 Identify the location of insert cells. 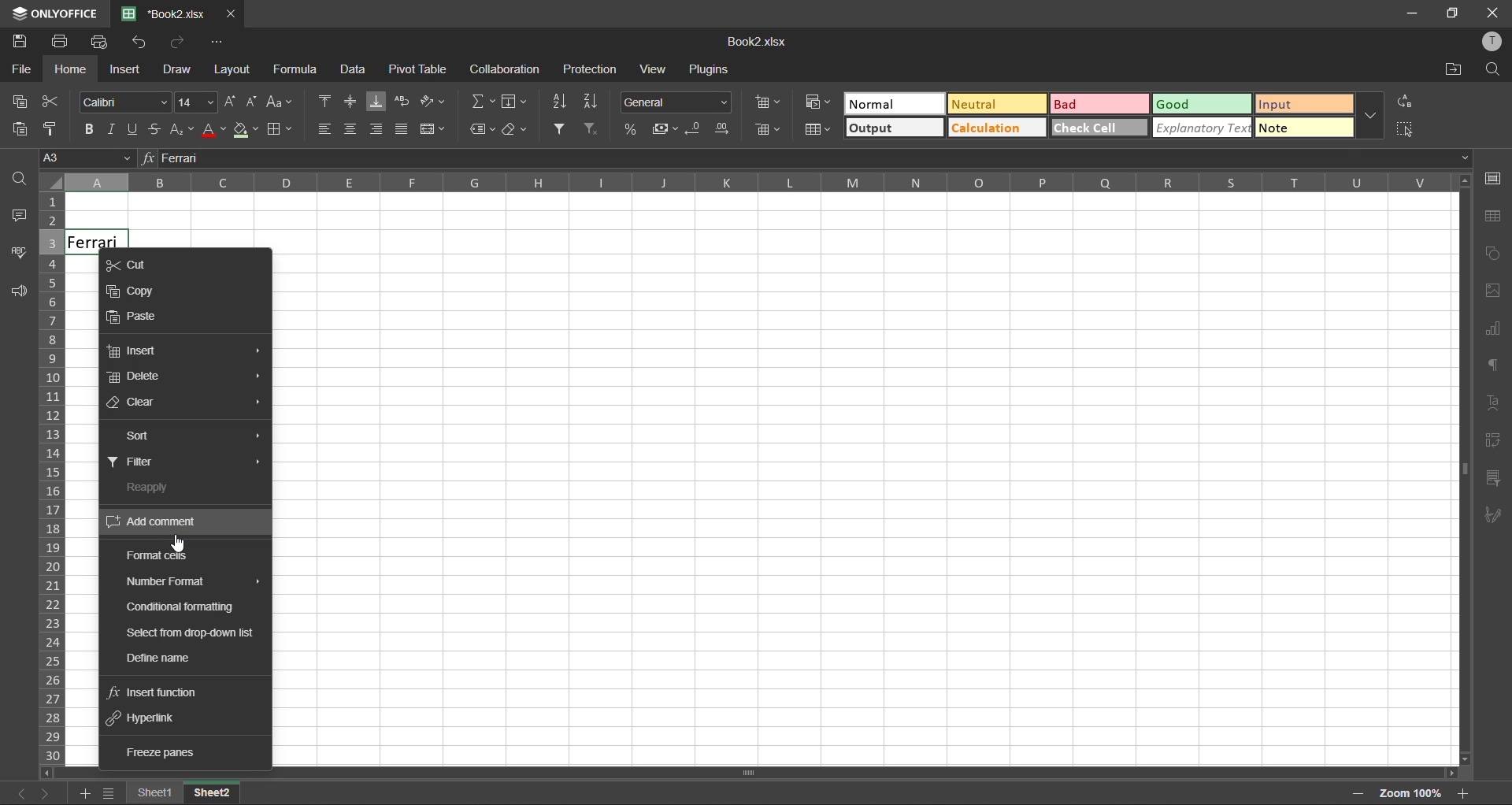
(768, 101).